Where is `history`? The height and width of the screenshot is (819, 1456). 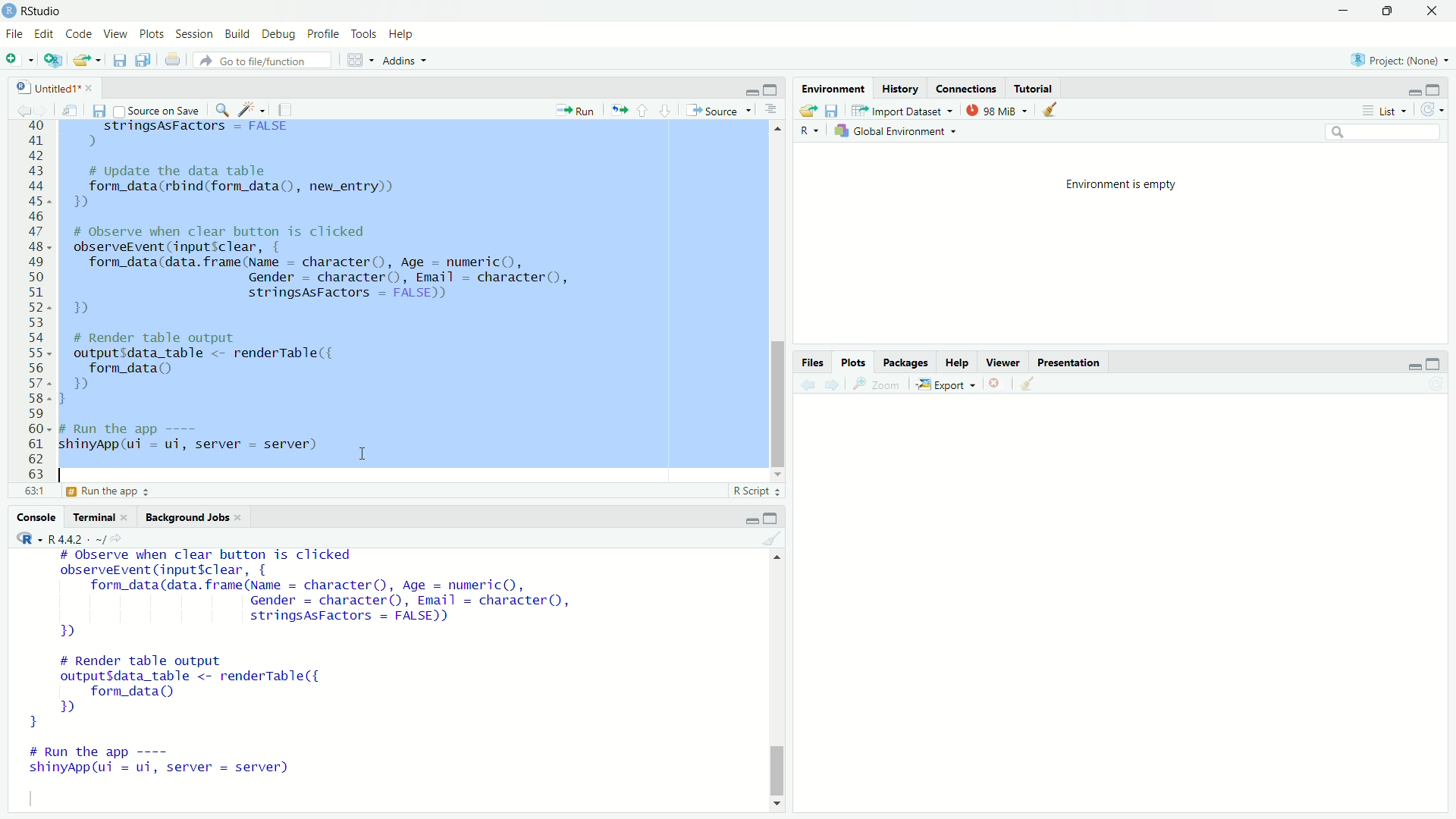
history is located at coordinates (899, 87).